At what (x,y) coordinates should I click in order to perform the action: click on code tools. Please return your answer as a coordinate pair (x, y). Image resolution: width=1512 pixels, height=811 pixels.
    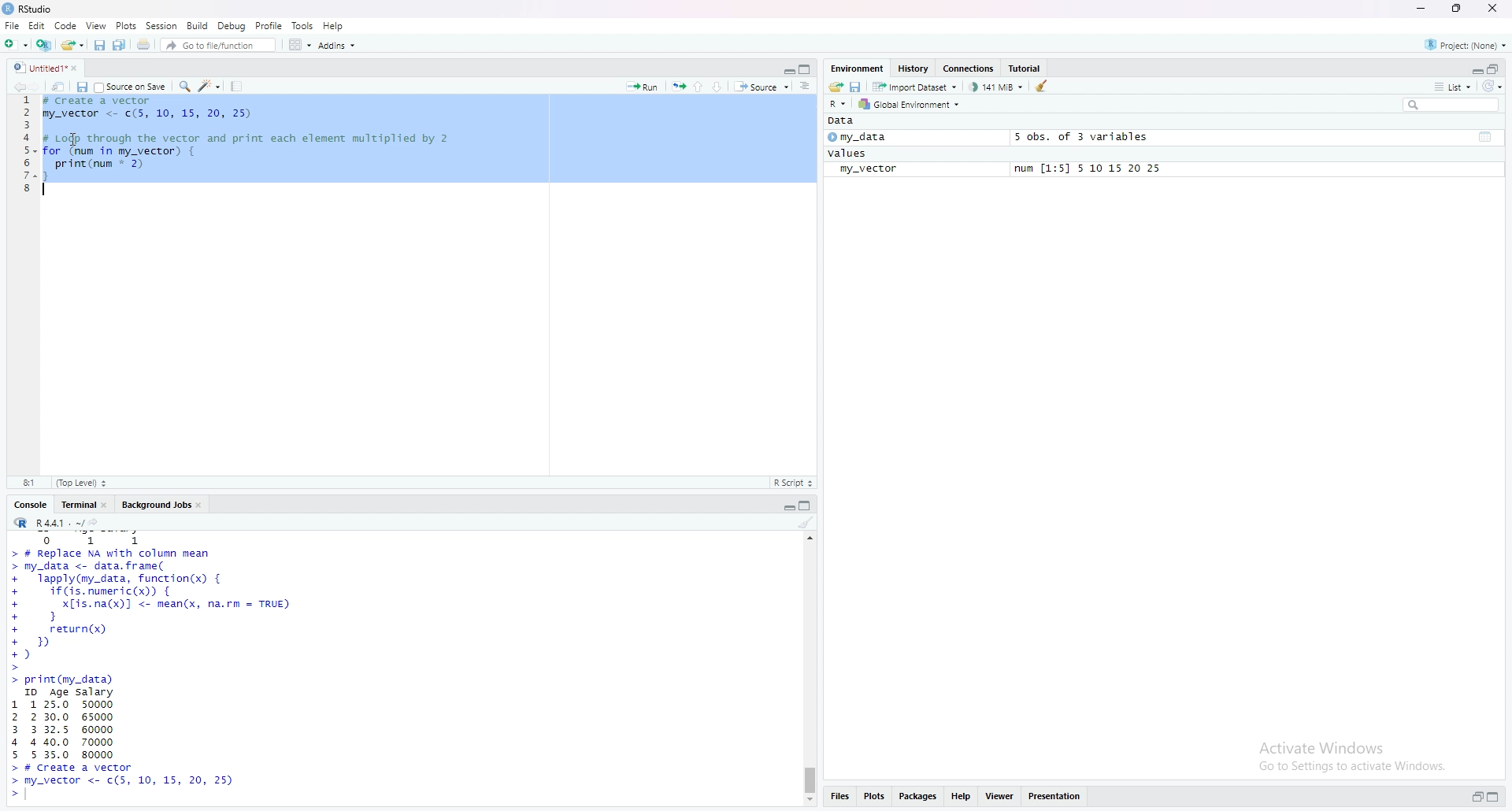
    Looking at the image, I should click on (210, 87).